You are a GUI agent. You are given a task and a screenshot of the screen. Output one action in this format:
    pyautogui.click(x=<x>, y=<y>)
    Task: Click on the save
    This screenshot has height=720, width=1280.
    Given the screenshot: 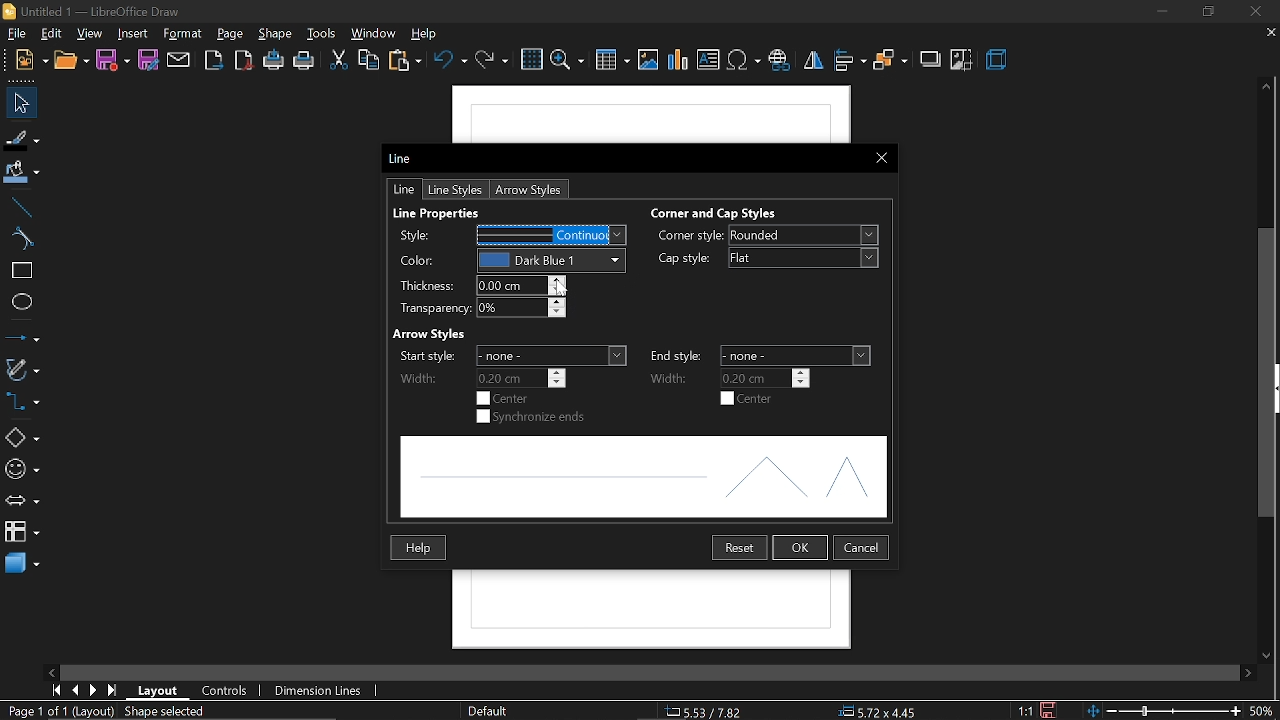 What is the action you would take?
    pyautogui.click(x=113, y=60)
    